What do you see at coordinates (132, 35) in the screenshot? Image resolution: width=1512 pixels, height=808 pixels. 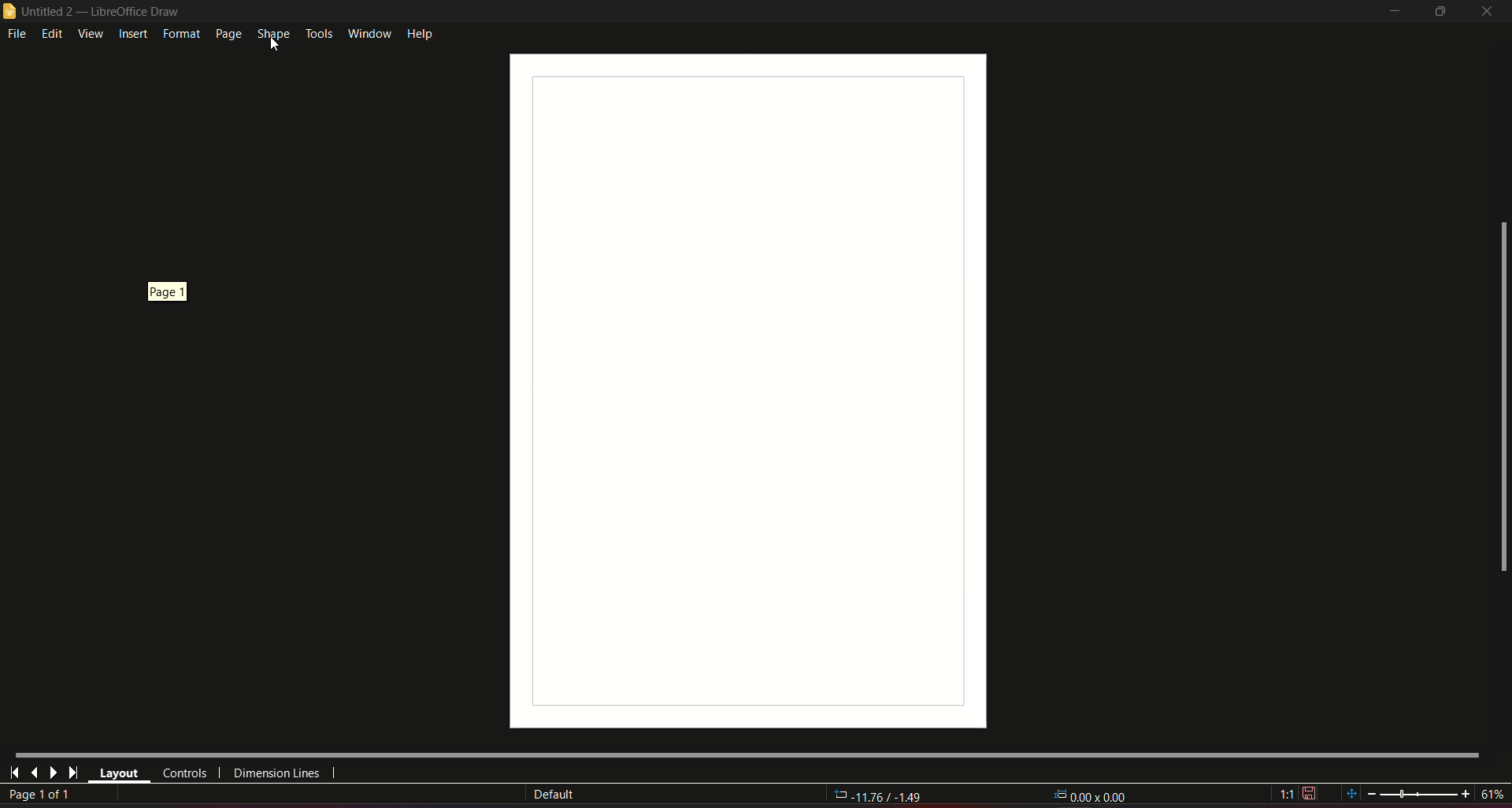 I see `insert` at bounding box center [132, 35].